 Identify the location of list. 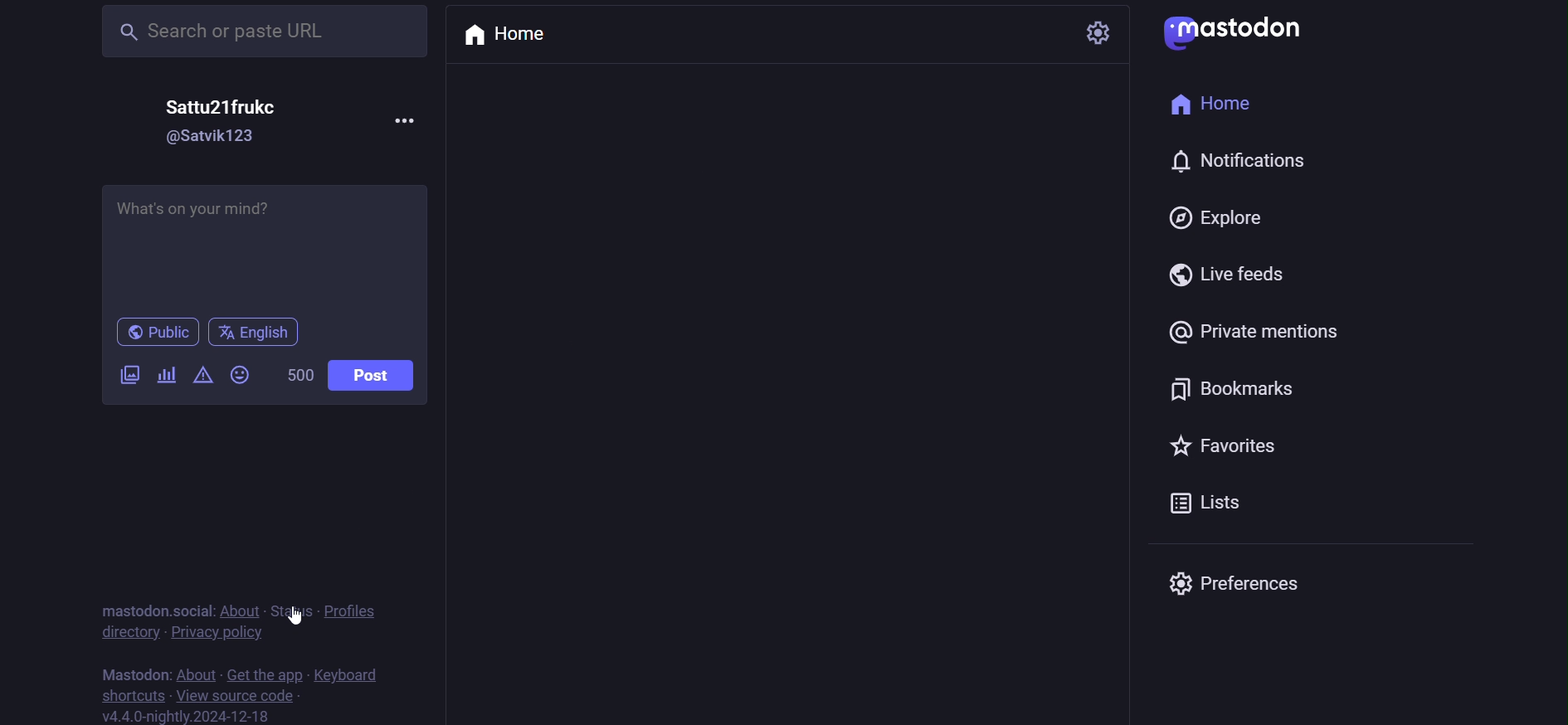
(1214, 503).